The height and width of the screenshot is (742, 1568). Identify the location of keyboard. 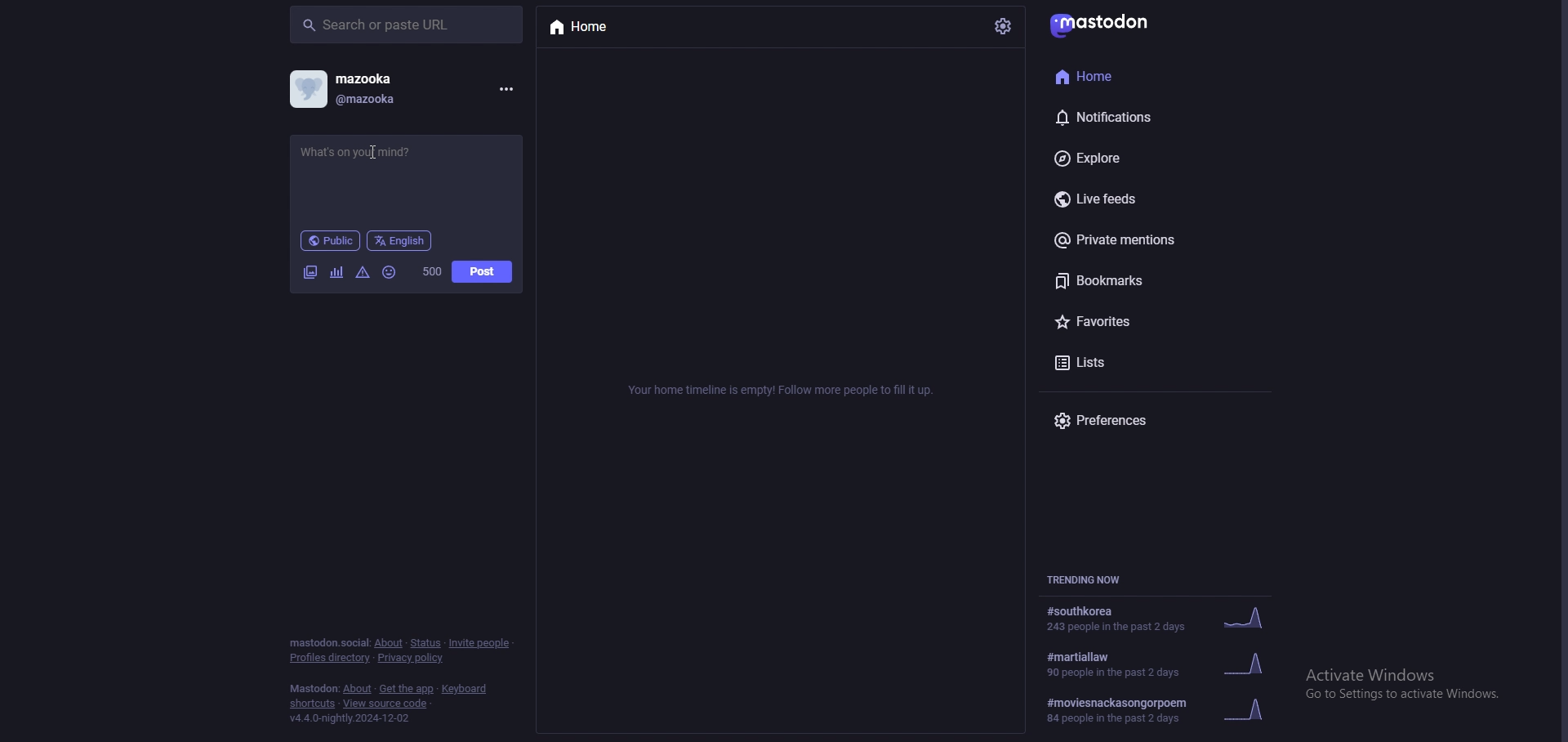
(465, 688).